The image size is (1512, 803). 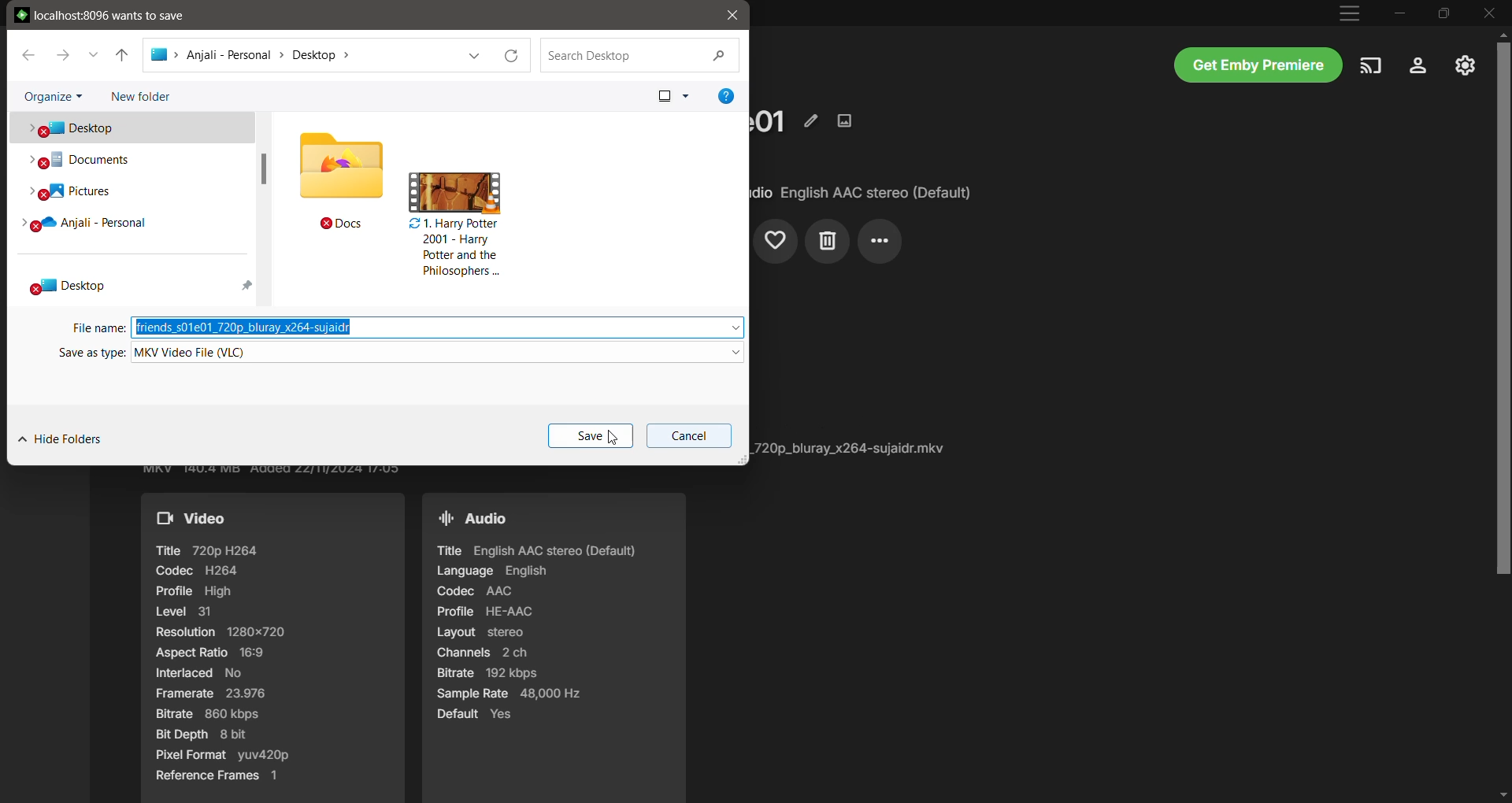 What do you see at coordinates (731, 16) in the screenshot?
I see `Close` at bounding box center [731, 16].